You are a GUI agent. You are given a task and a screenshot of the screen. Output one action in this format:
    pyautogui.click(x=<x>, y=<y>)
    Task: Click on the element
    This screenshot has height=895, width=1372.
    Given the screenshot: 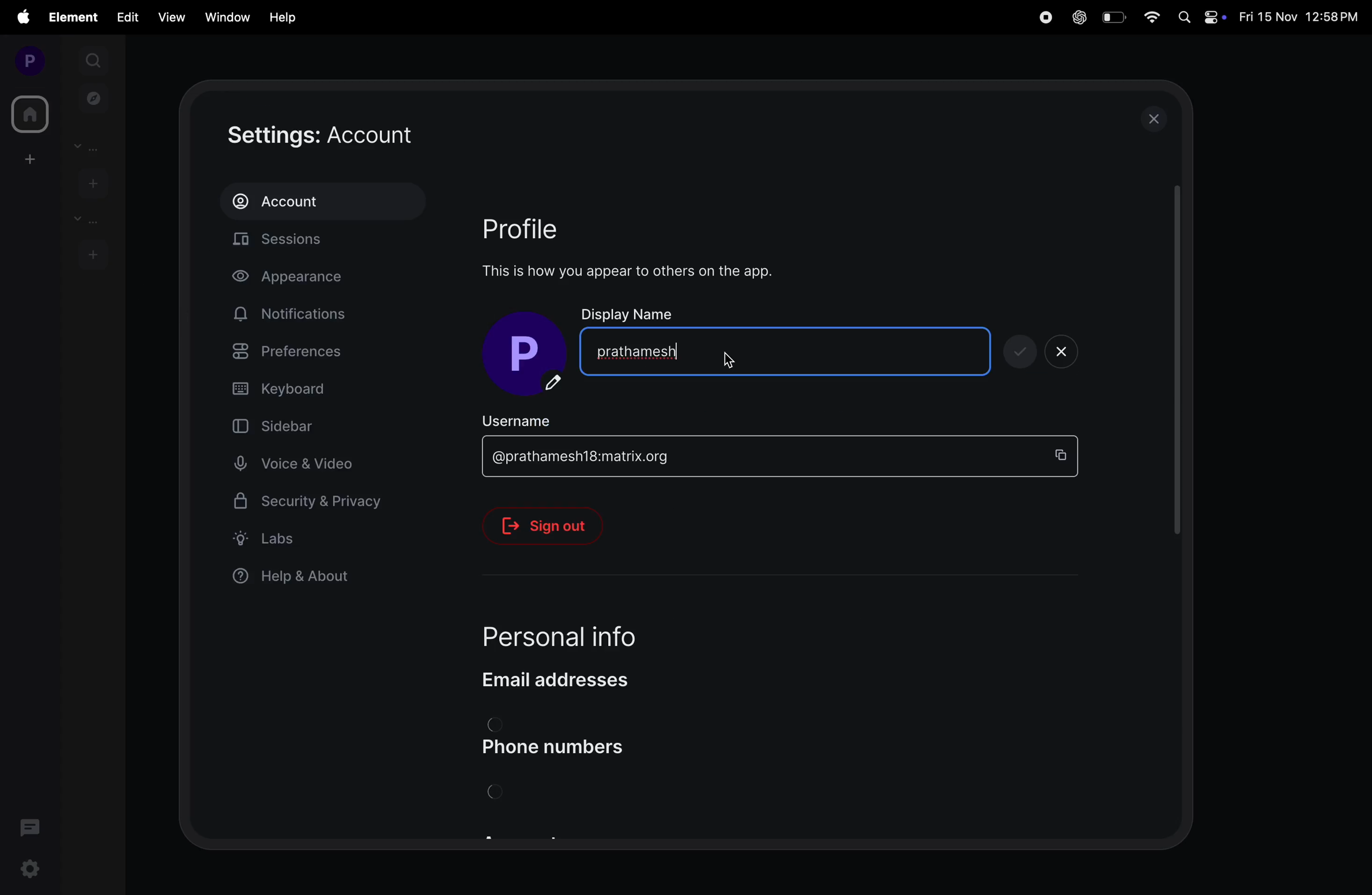 What is the action you would take?
    pyautogui.click(x=75, y=17)
    